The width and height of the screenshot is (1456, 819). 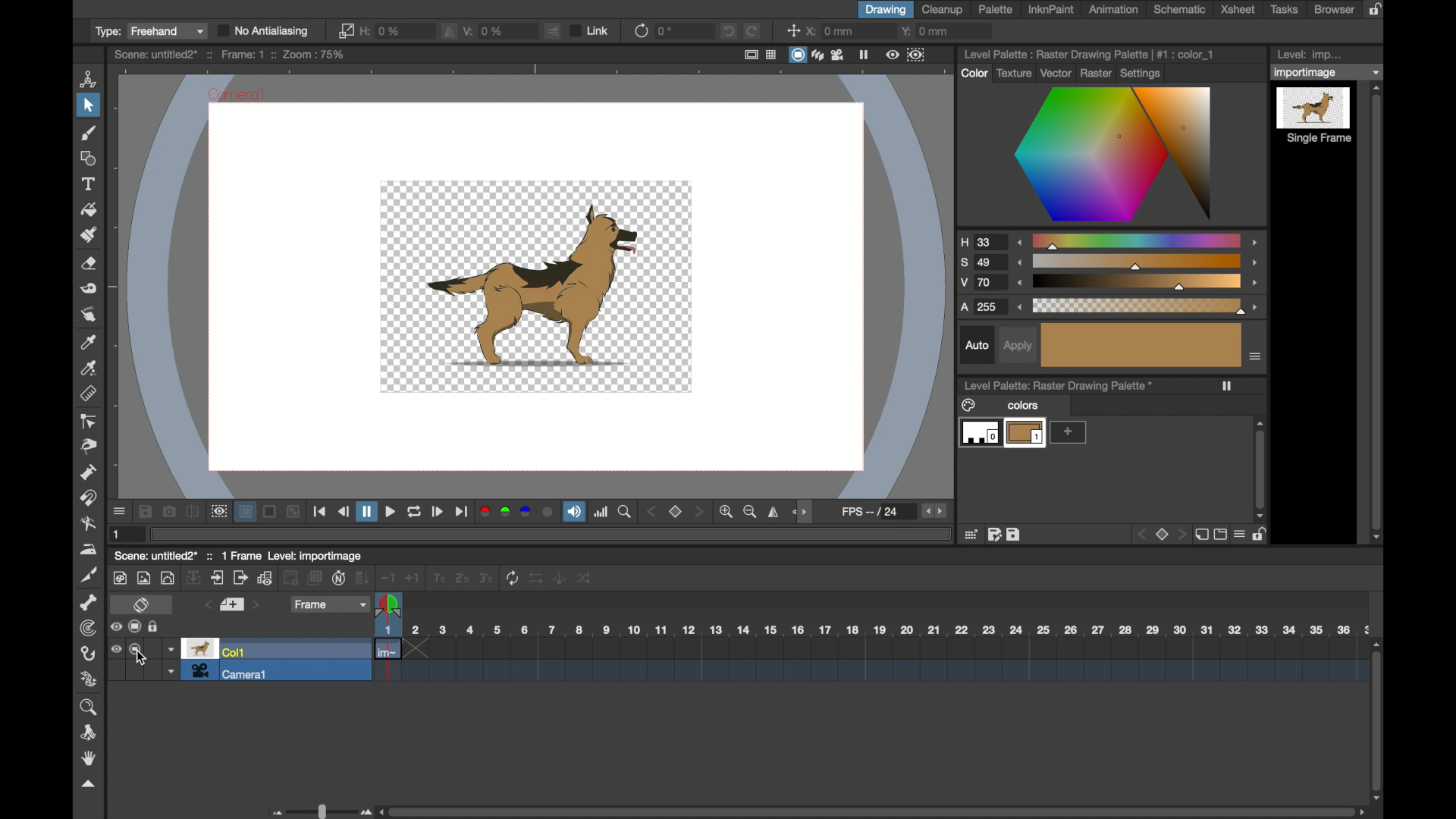 What do you see at coordinates (318, 811) in the screenshot?
I see `slider` at bounding box center [318, 811].